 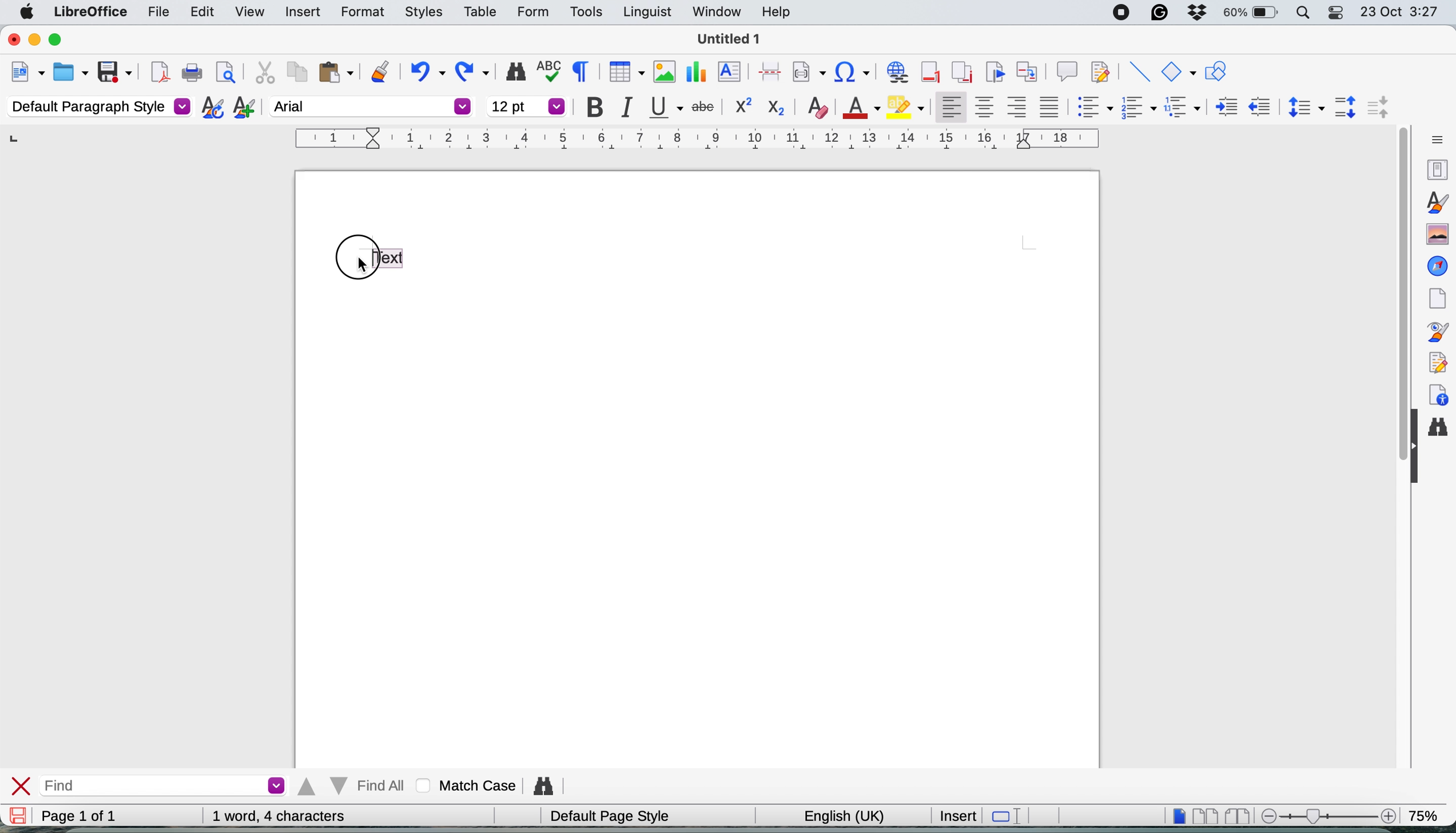 What do you see at coordinates (1215, 72) in the screenshot?
I see `show draw function` at bounding box center [1215, 72].